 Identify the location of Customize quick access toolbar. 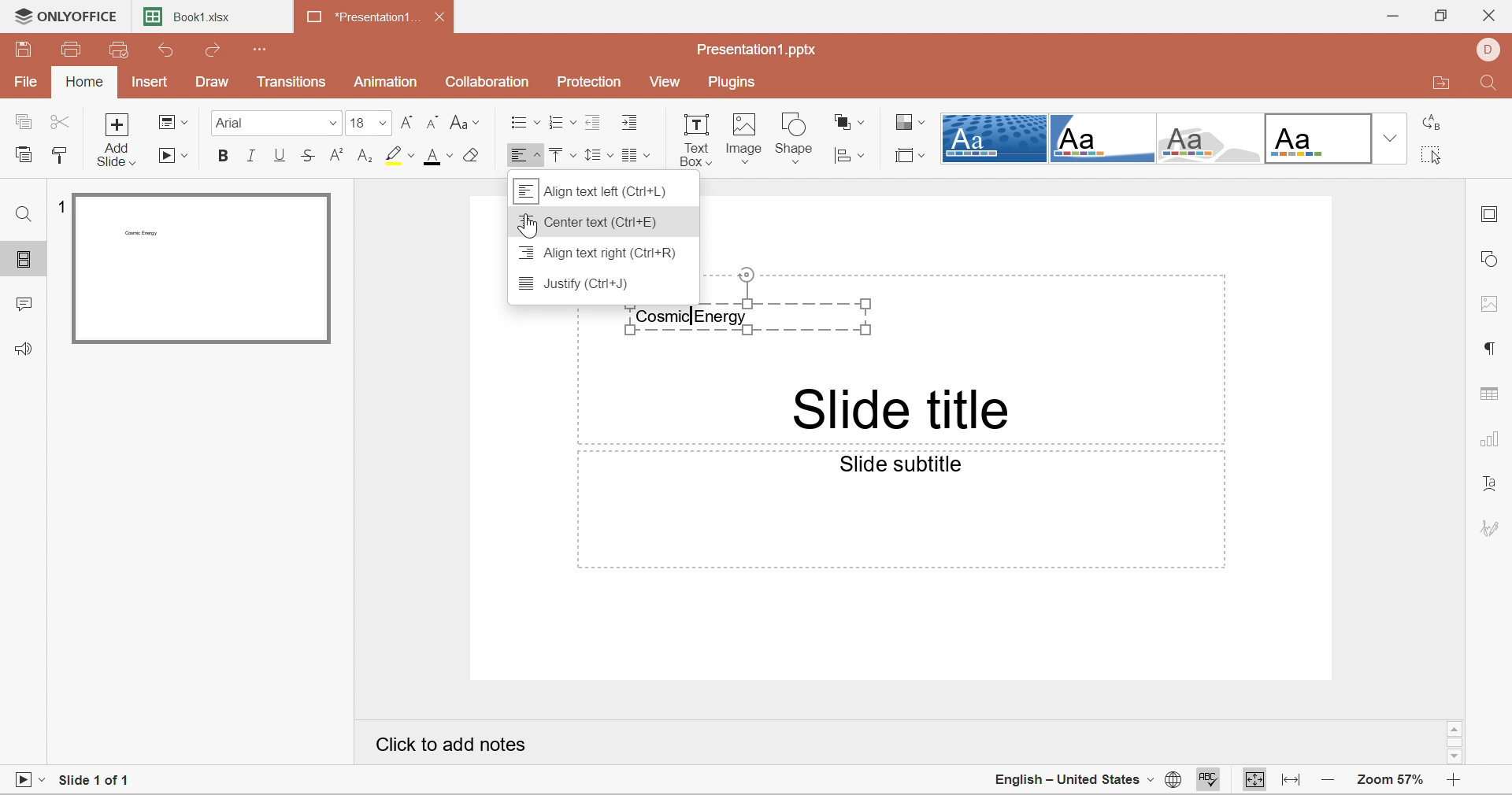
(262, 50).